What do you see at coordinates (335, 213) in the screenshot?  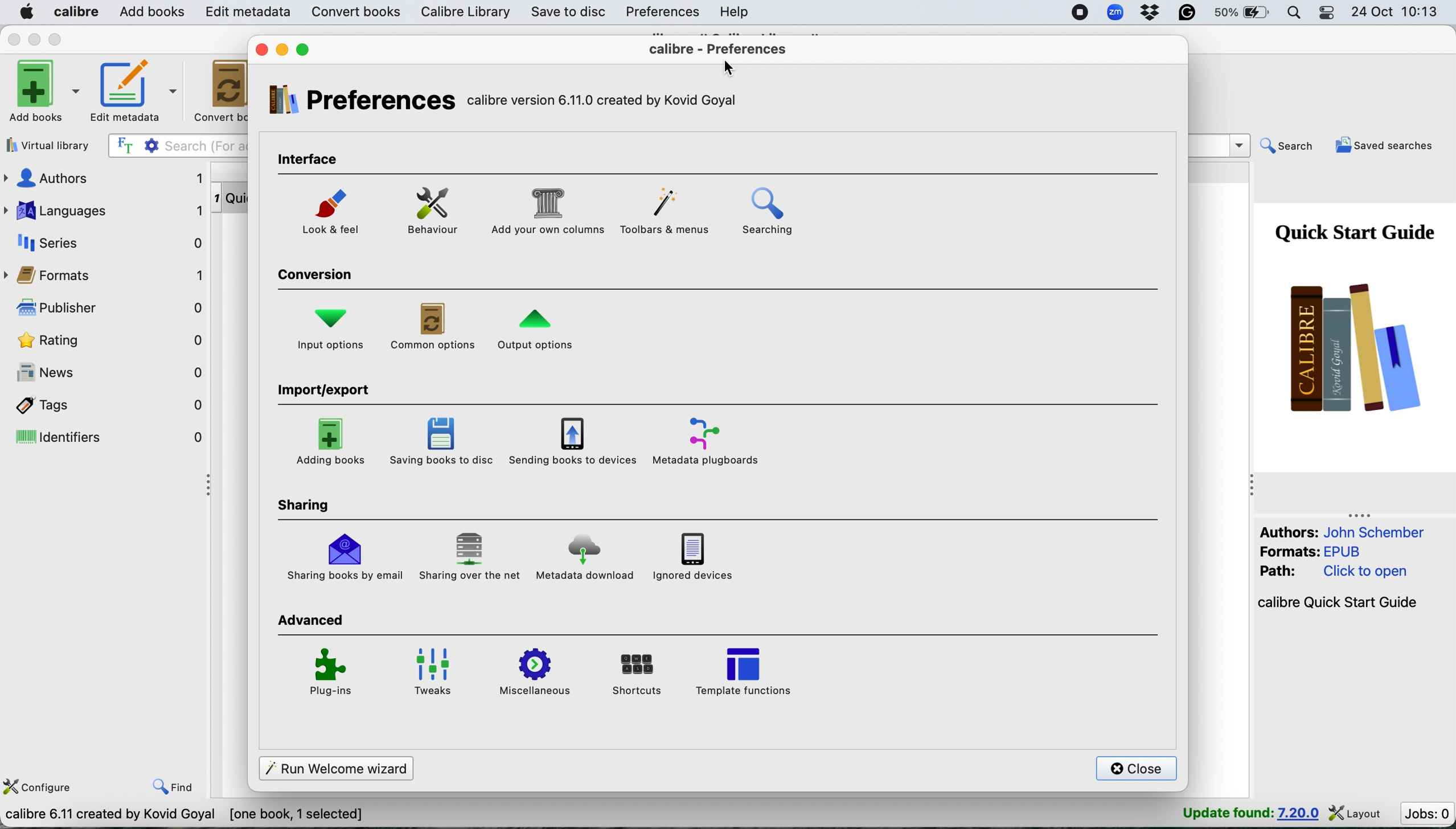 I see `look and feel` at bounding box center [335, 213].